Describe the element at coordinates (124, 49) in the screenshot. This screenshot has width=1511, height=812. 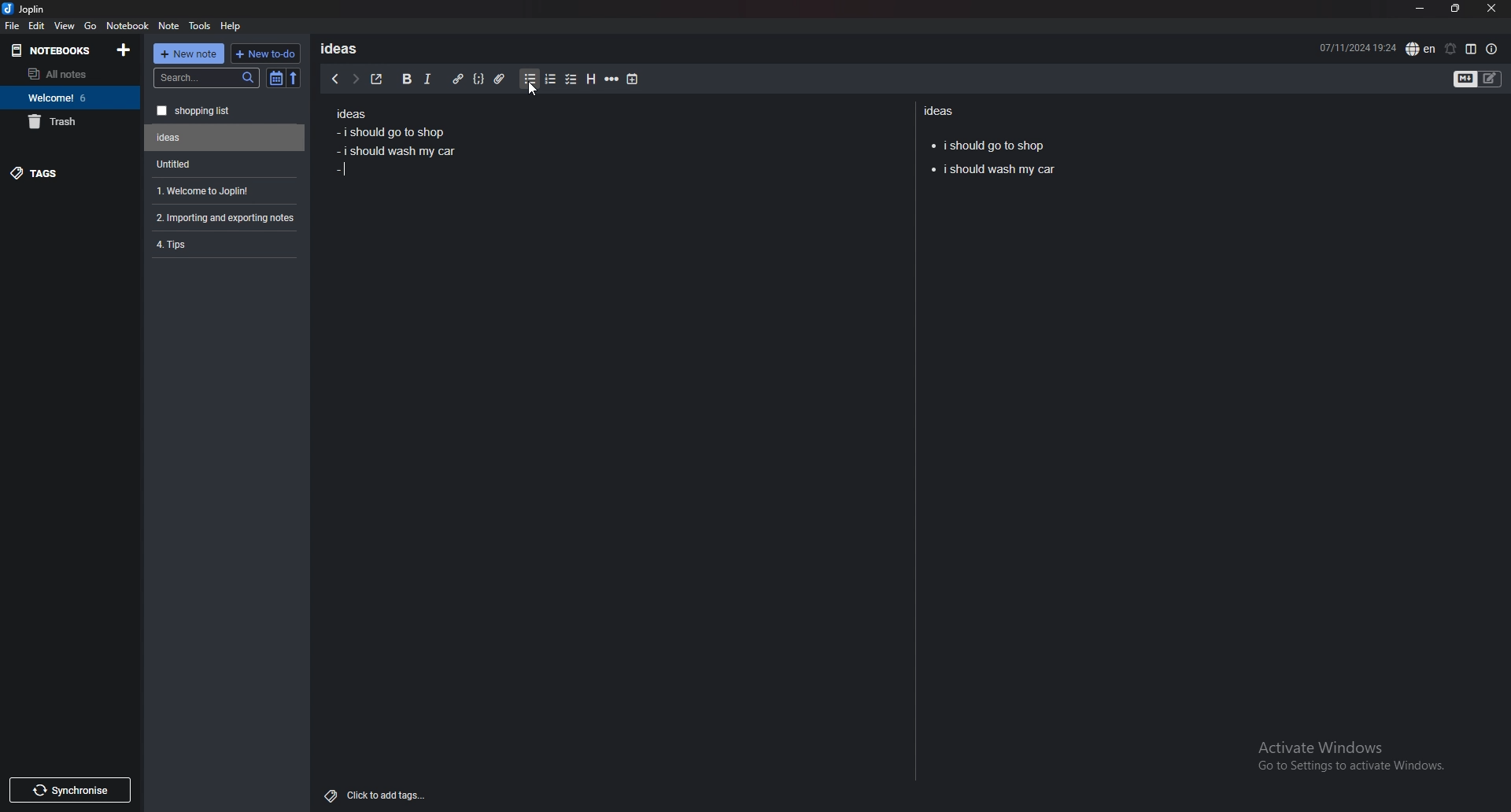
I see `add notebooks` at that location.